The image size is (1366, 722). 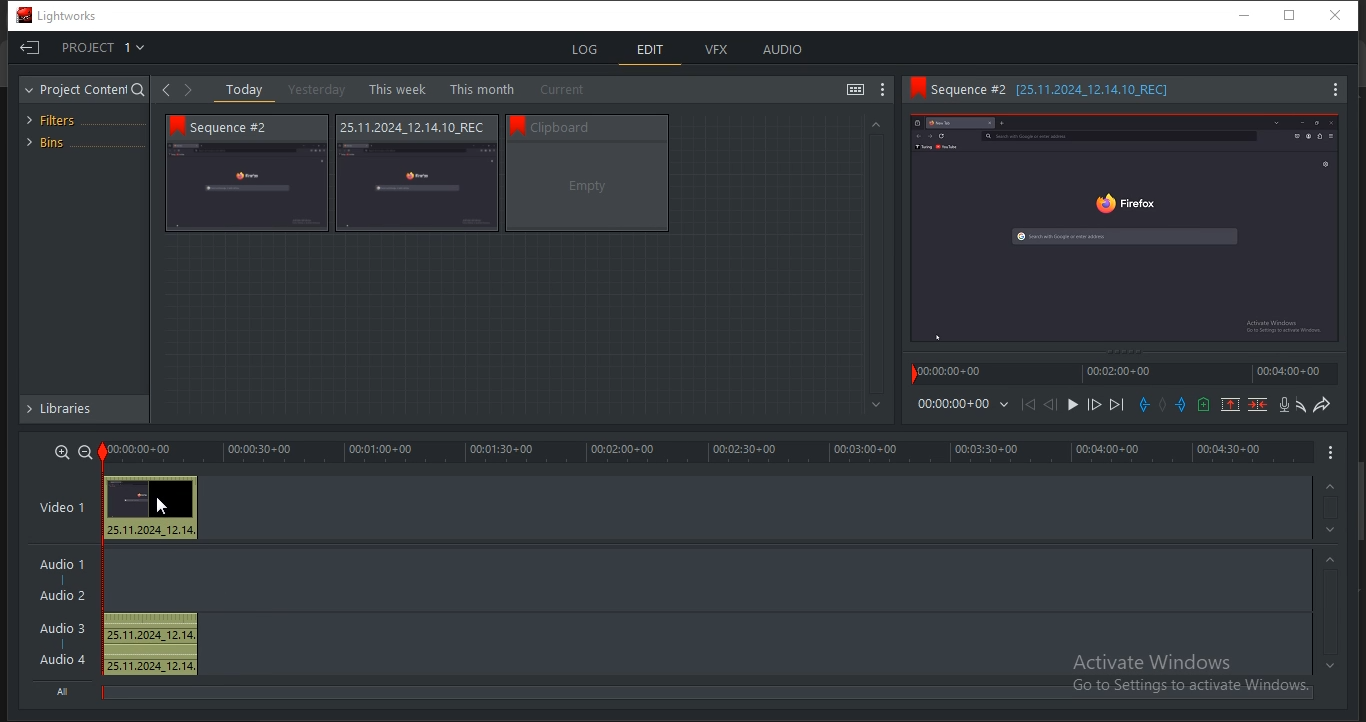 What do you see at coordinates (588, 48) in the screenshot?
I see `log` at bounding box center [588, 48].